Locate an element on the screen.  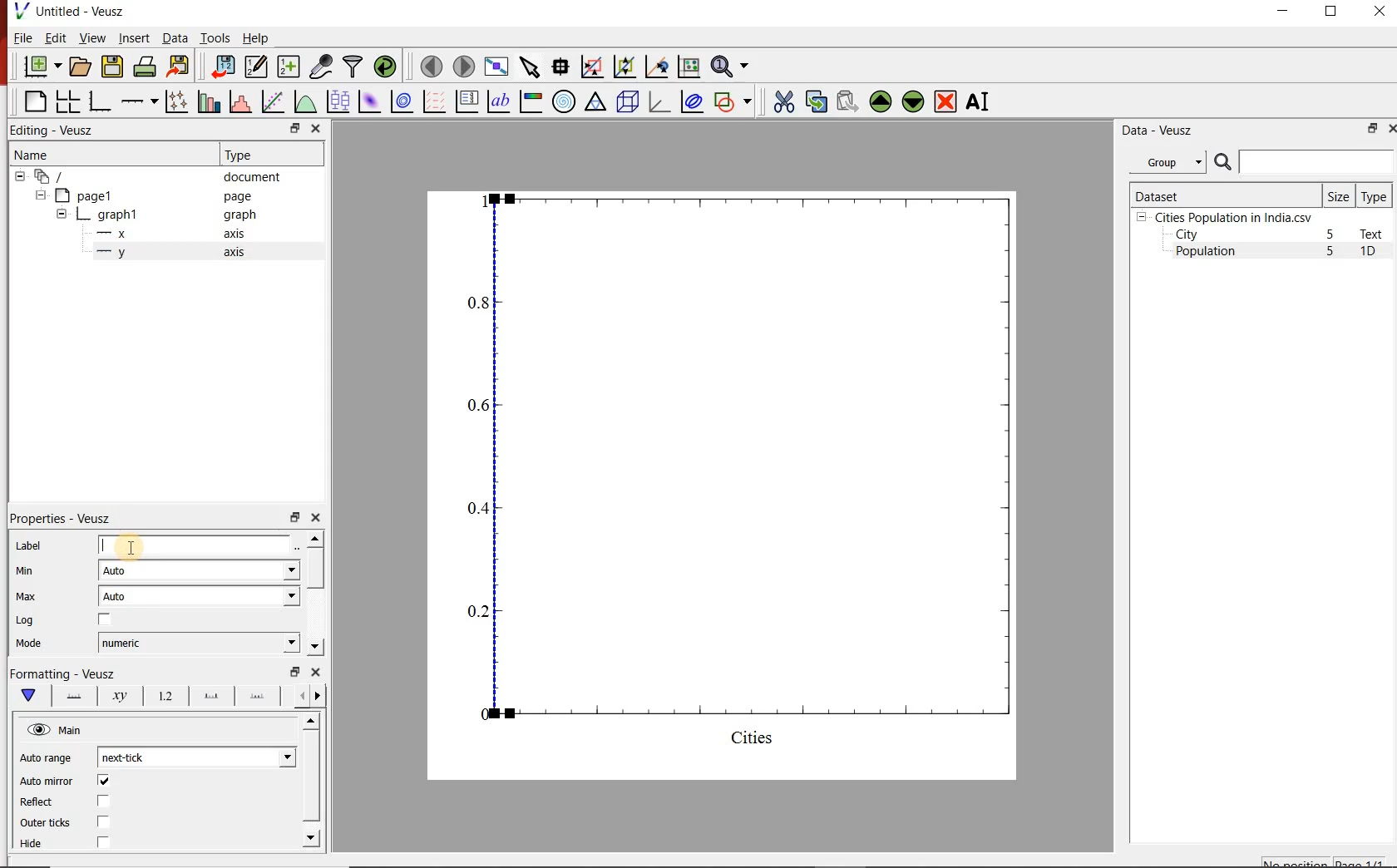
Max is located at coordinates (25, 596).